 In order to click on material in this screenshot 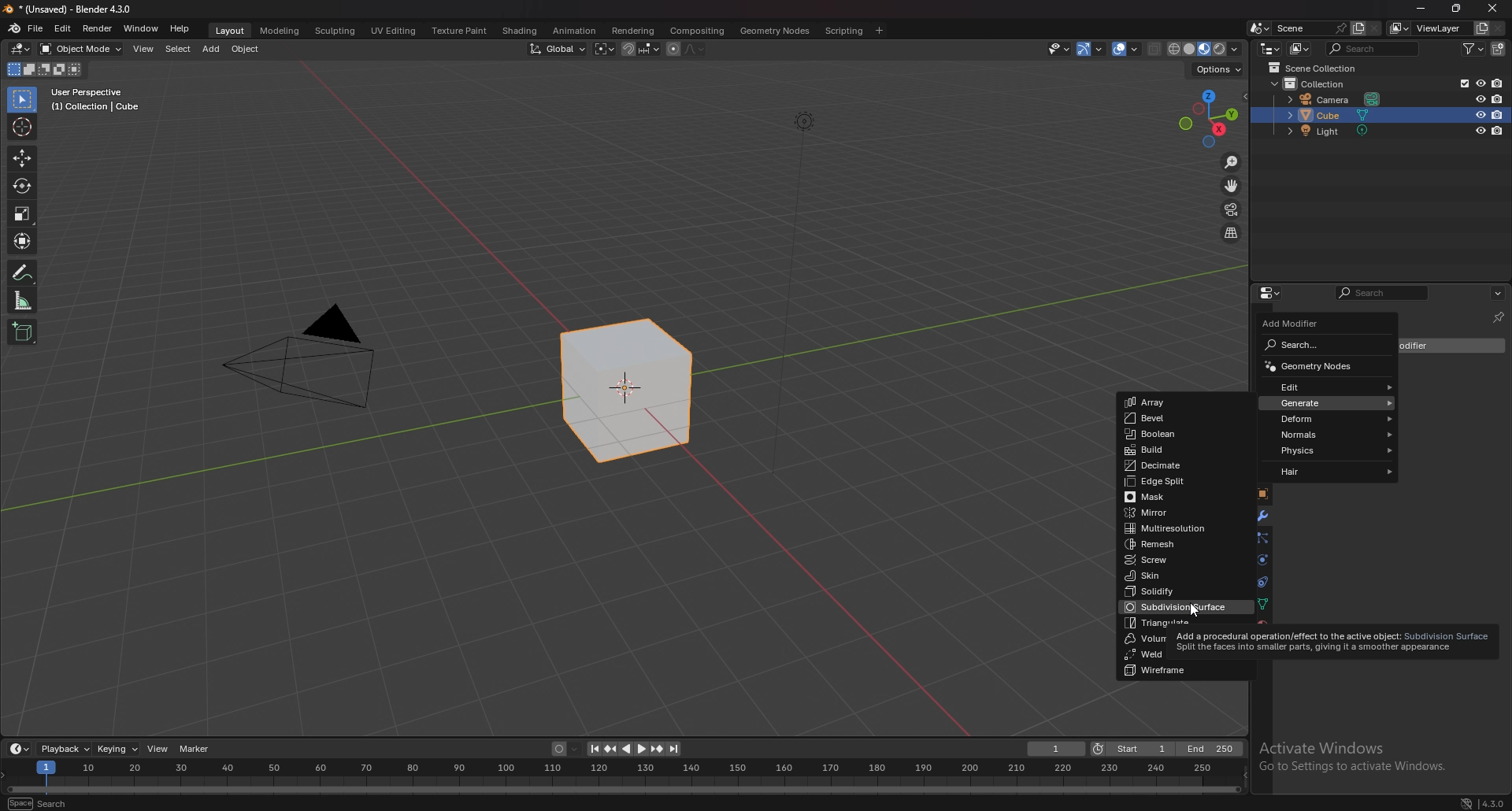, I will do `click(1262, 623)`.